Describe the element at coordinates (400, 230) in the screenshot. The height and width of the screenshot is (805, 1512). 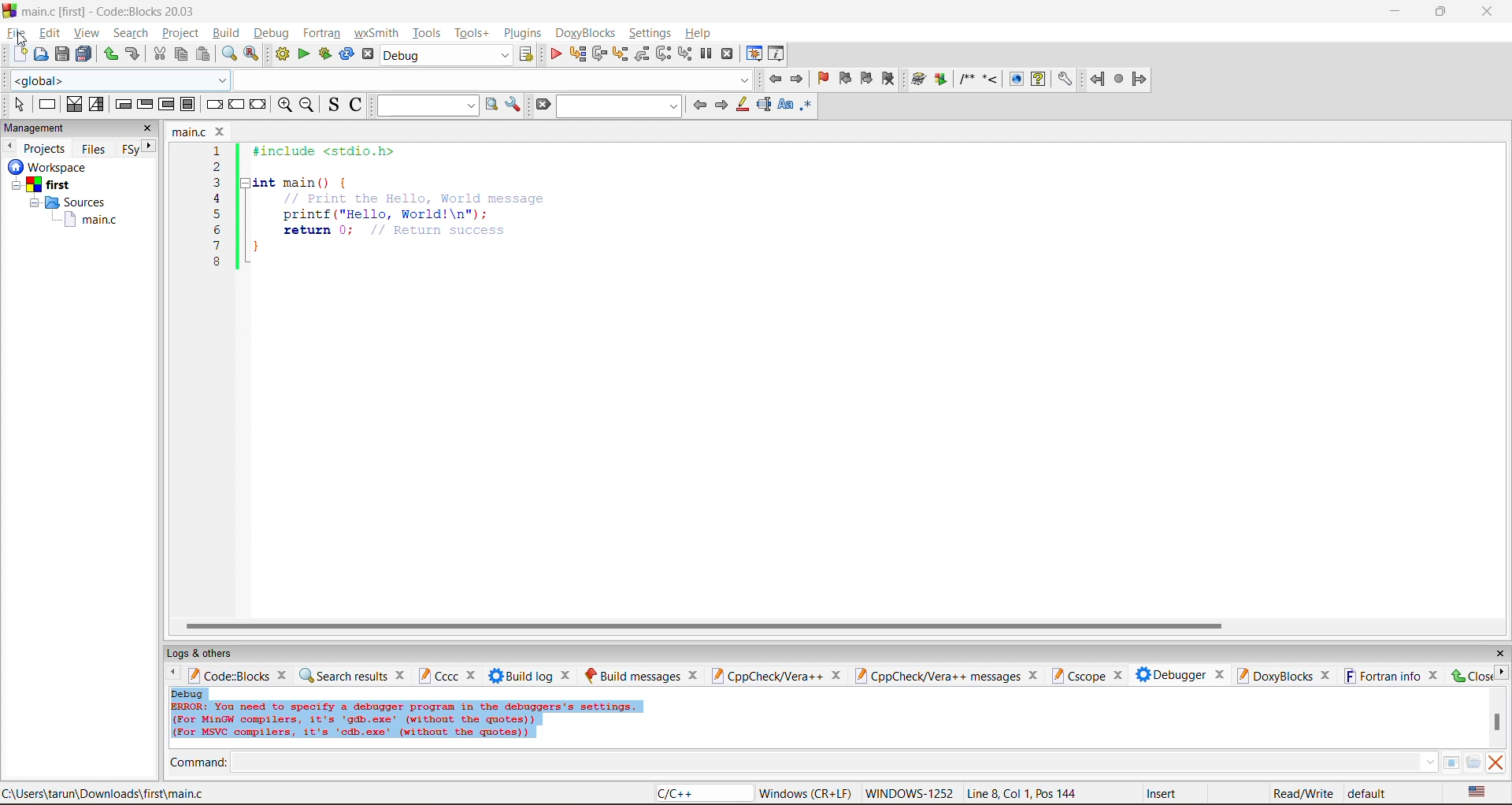
I see `return 0` at that location.